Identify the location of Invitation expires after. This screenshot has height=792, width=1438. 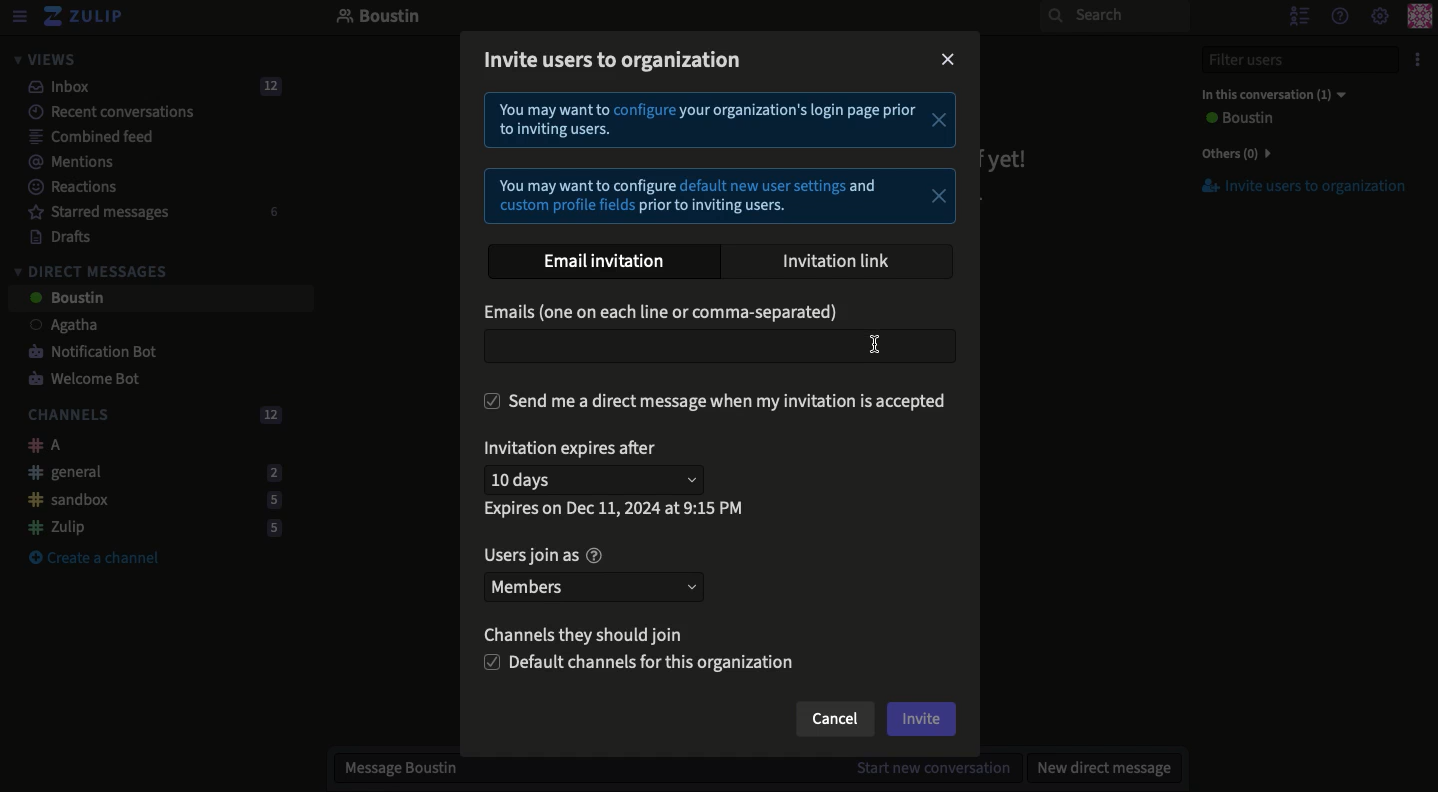
(575, 451).